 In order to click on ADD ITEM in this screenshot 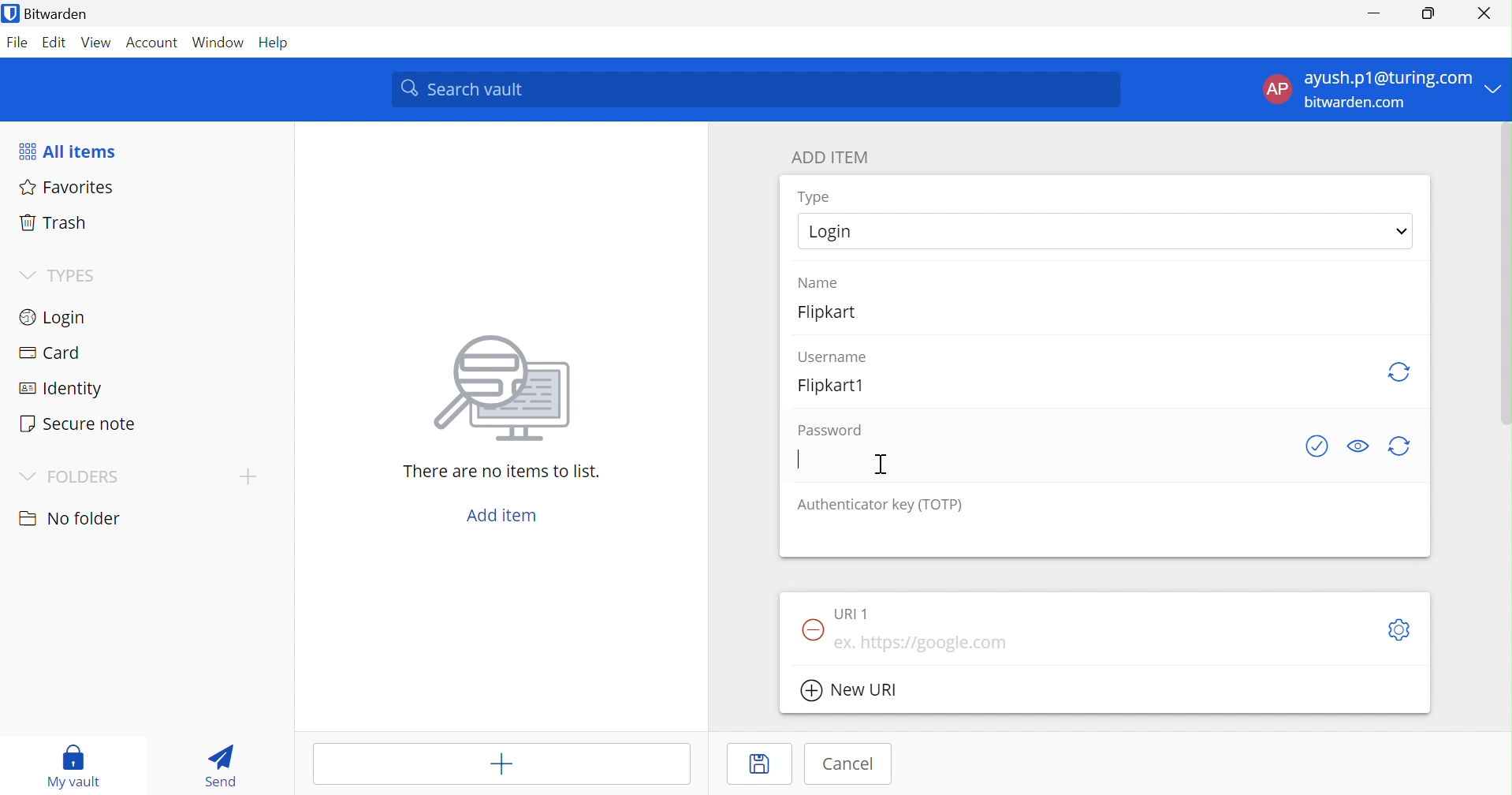, I will do `click(832, 159)`.